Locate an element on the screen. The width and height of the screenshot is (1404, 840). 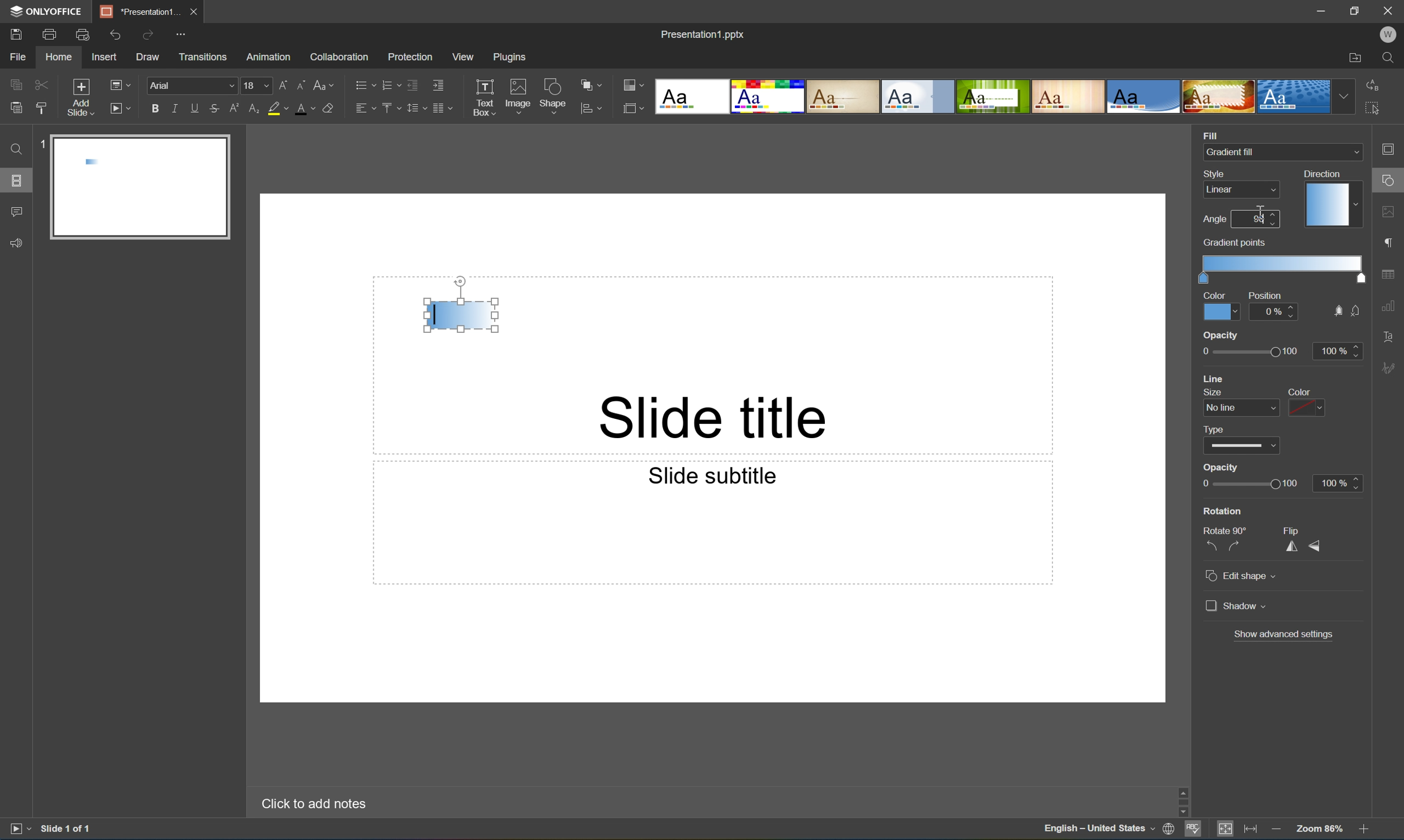
Feedback & Support is located at coordinates (18, 242).